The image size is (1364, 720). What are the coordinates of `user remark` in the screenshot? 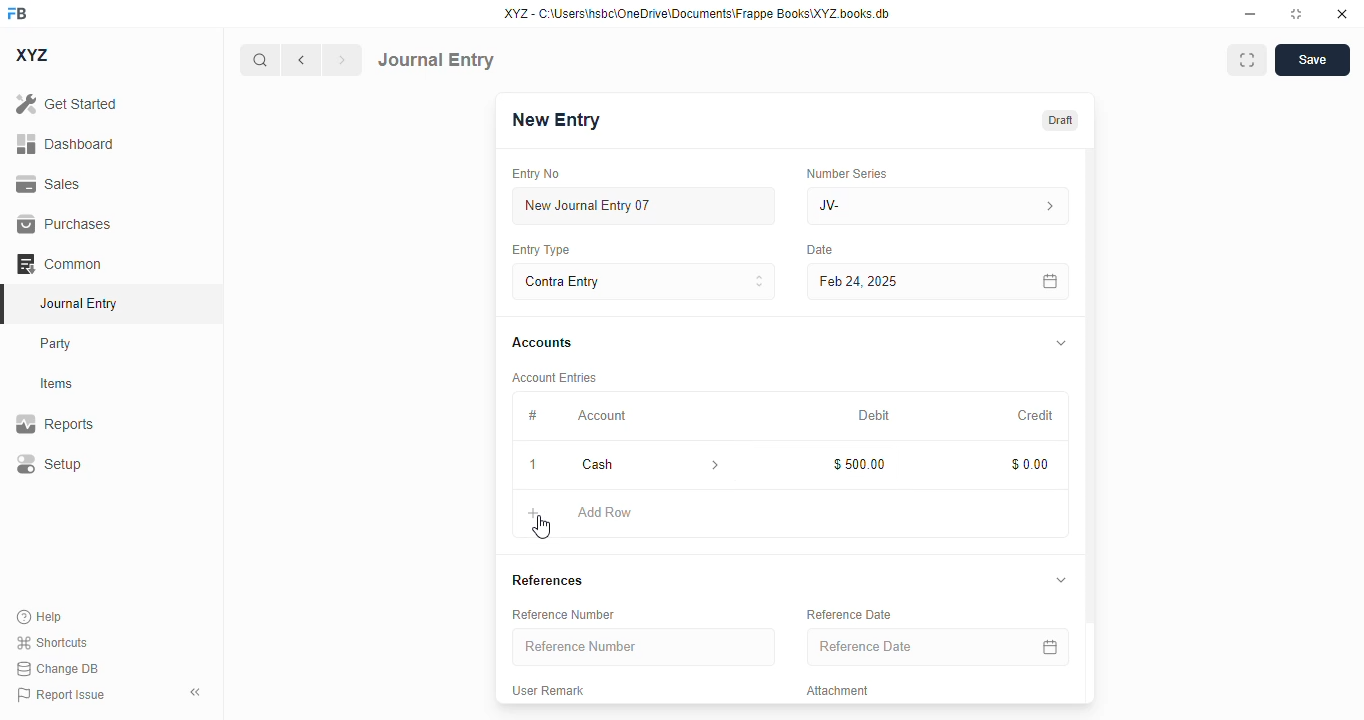 It's located at (550, 689).